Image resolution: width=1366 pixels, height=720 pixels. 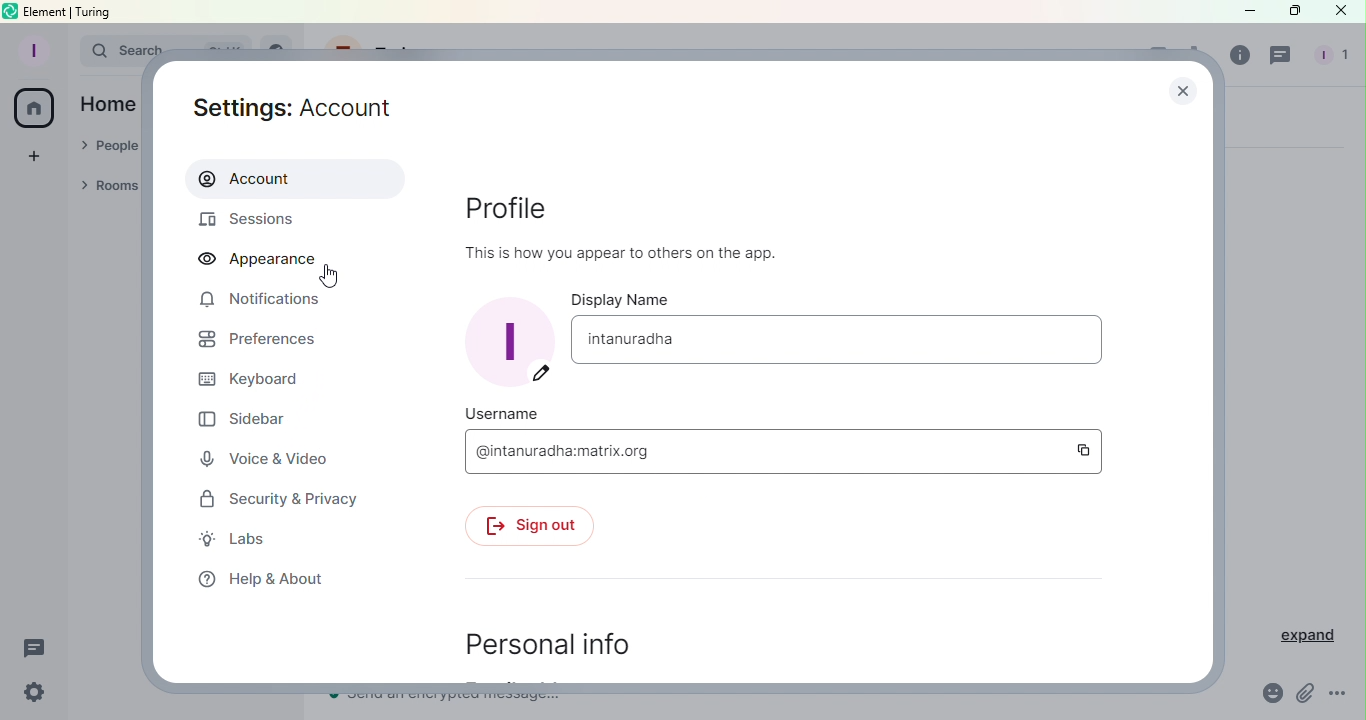 What do you see at coordinates (330, 278) in the screenshot?
I see `Pointer` at bounding box center [330, 278].